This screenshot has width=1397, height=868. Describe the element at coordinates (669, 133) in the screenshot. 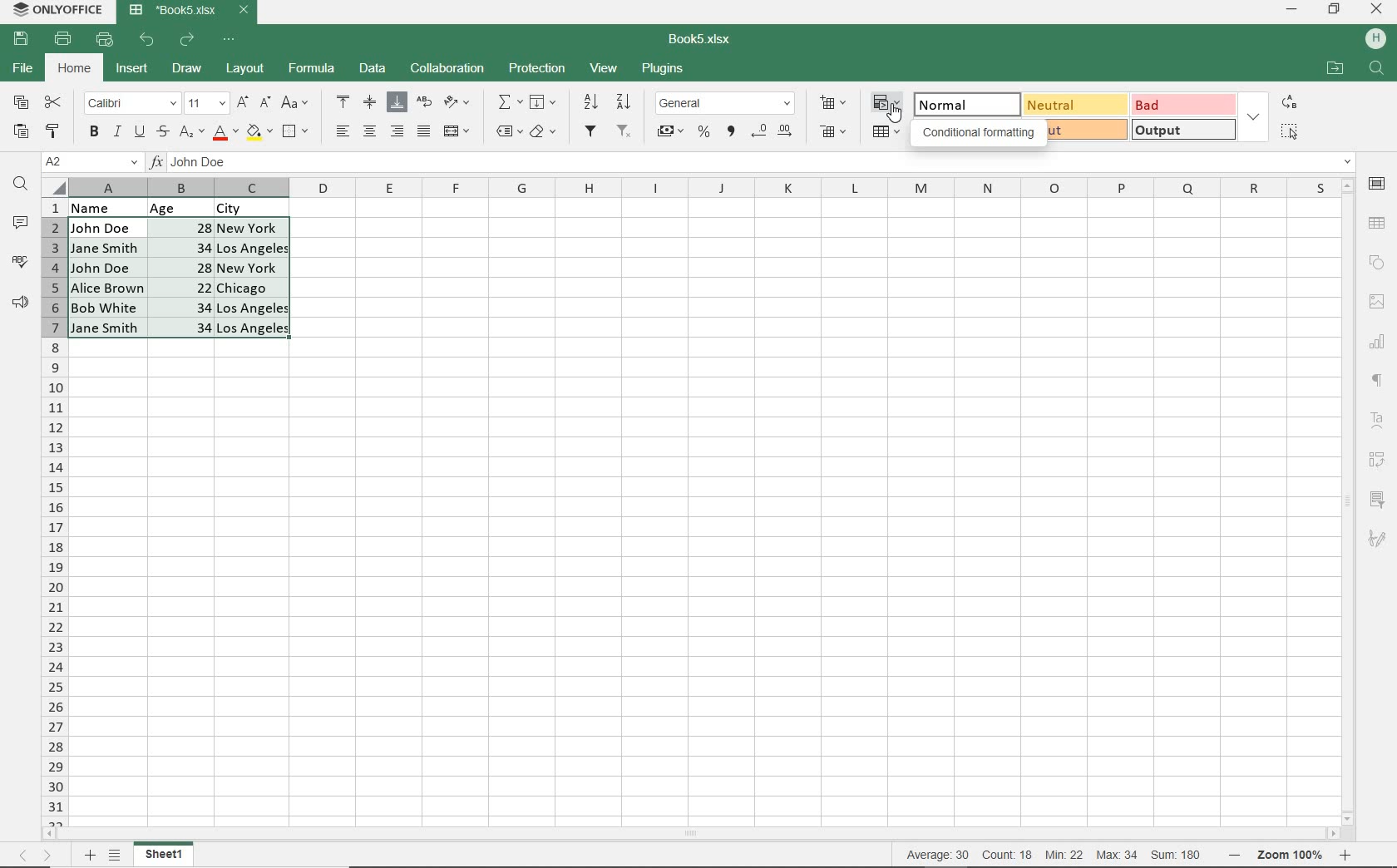

I see `ACCOUNTING STYLE` at that location.